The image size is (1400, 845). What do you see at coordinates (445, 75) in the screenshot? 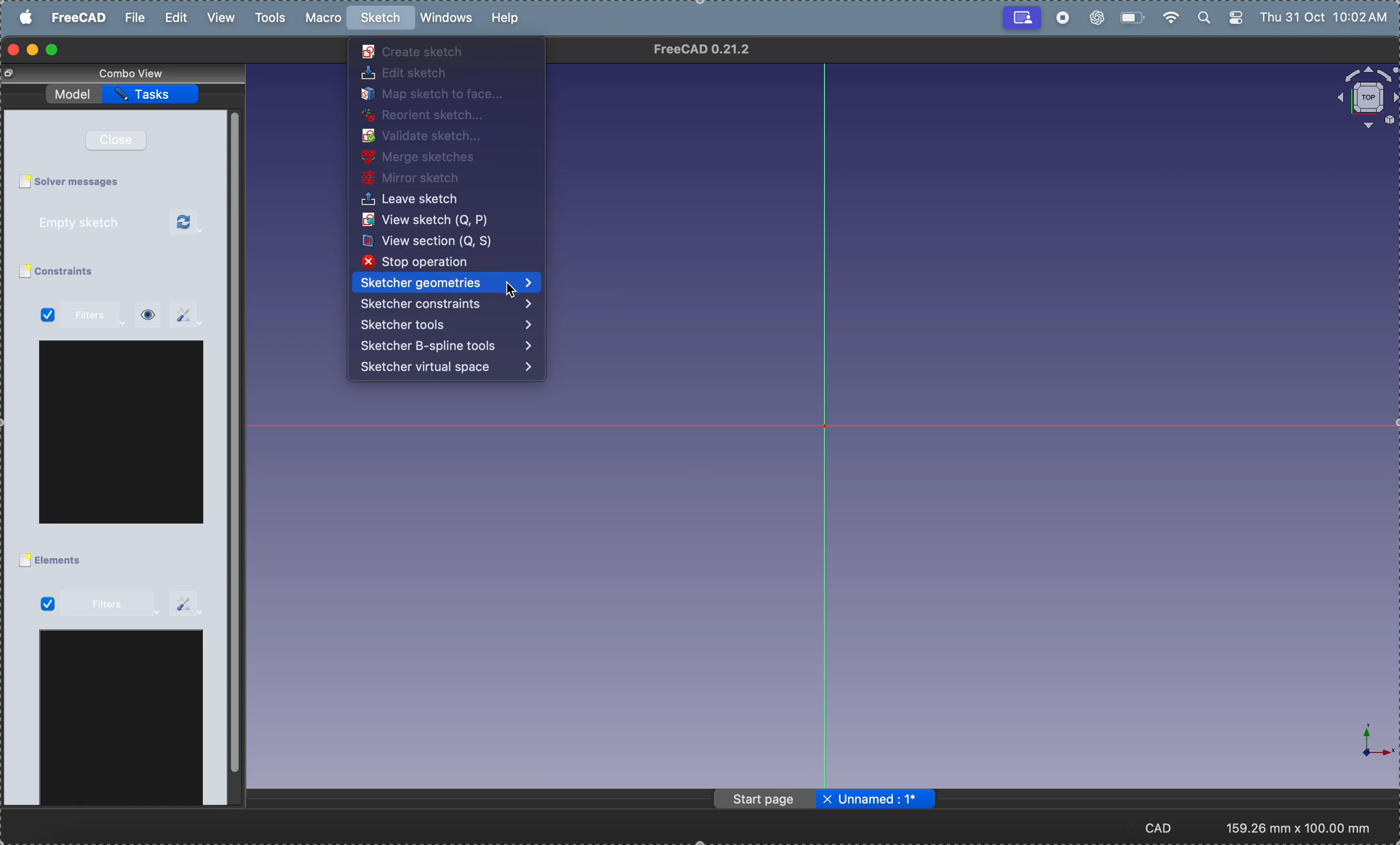
I see `edit sketch` at bounding box center [445, 75].